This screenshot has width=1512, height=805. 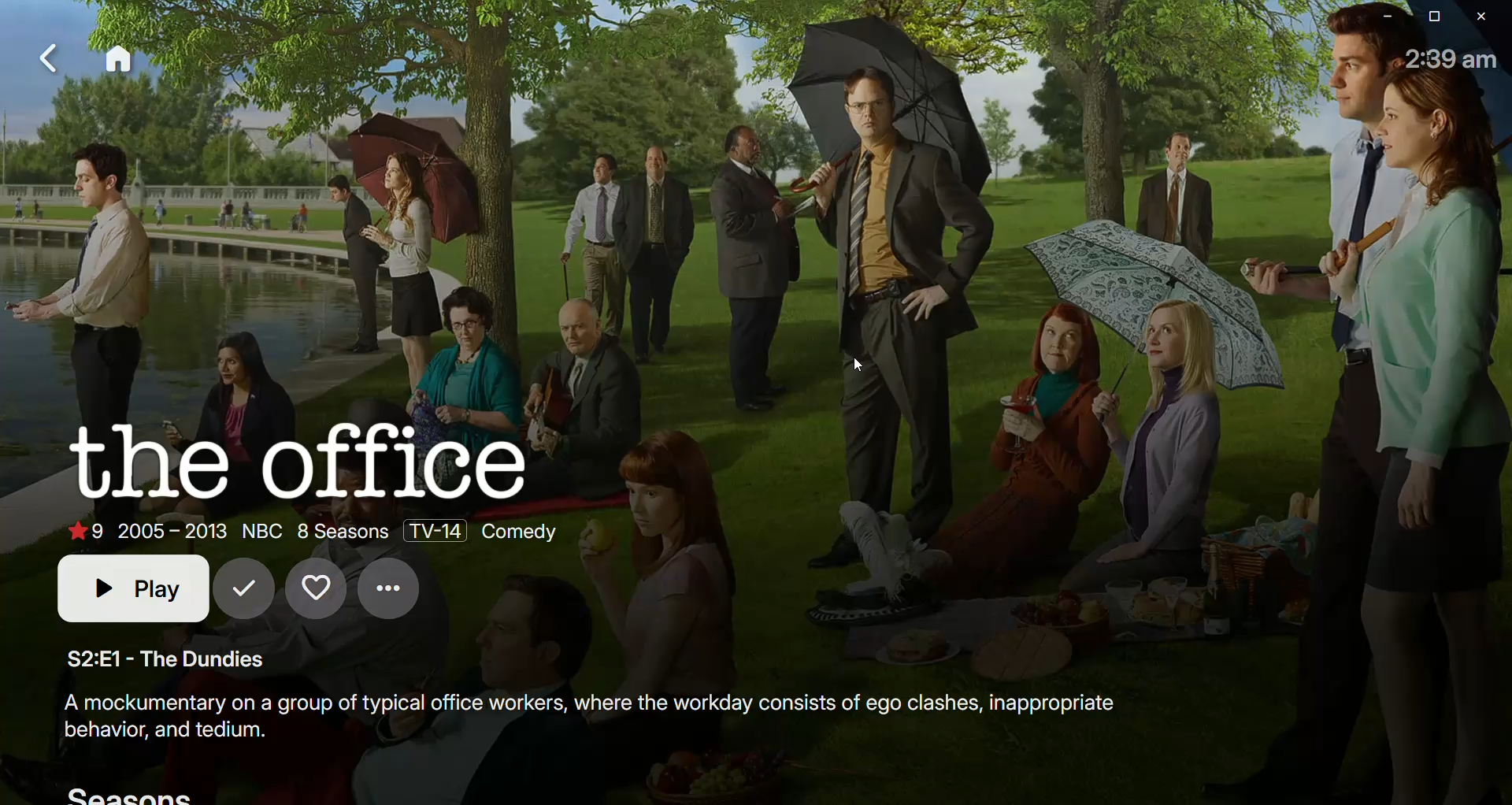 I want to click on Time, so click(x=1453, y=61).